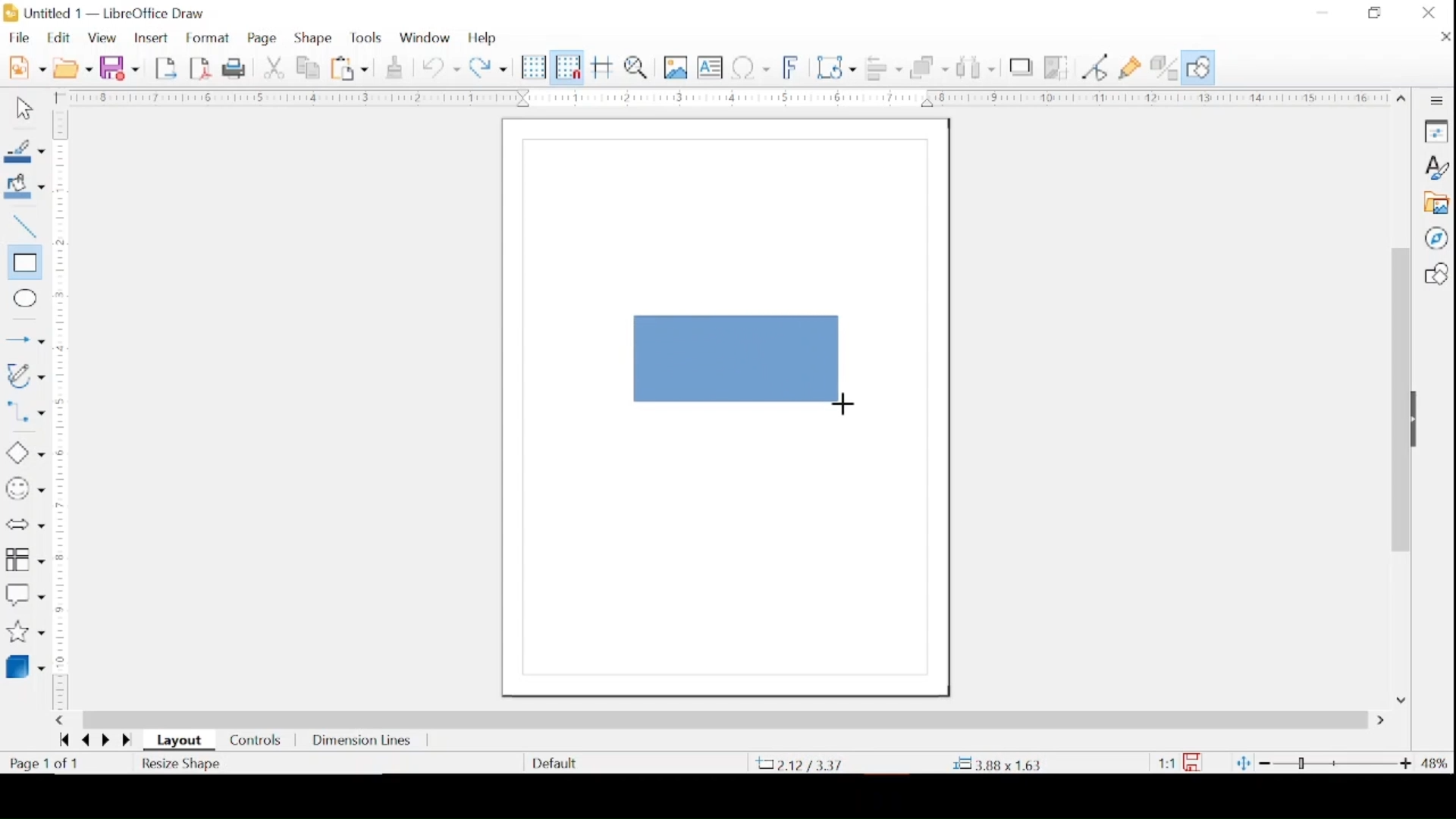 This screenshot has width=1456, height=819. I want to click on callout shapes, so click(25, 595).